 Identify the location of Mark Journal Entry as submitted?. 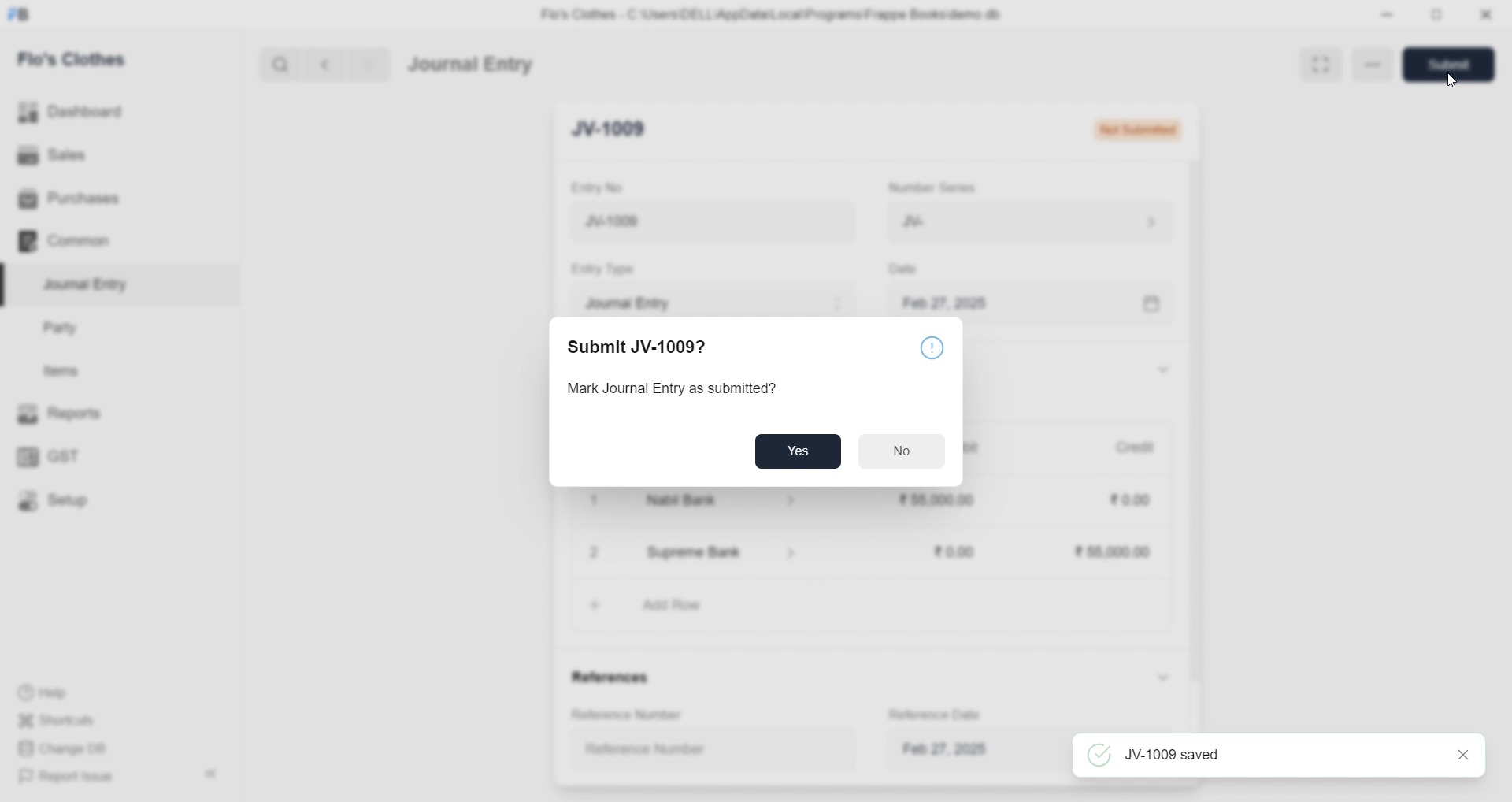
(675, 389).